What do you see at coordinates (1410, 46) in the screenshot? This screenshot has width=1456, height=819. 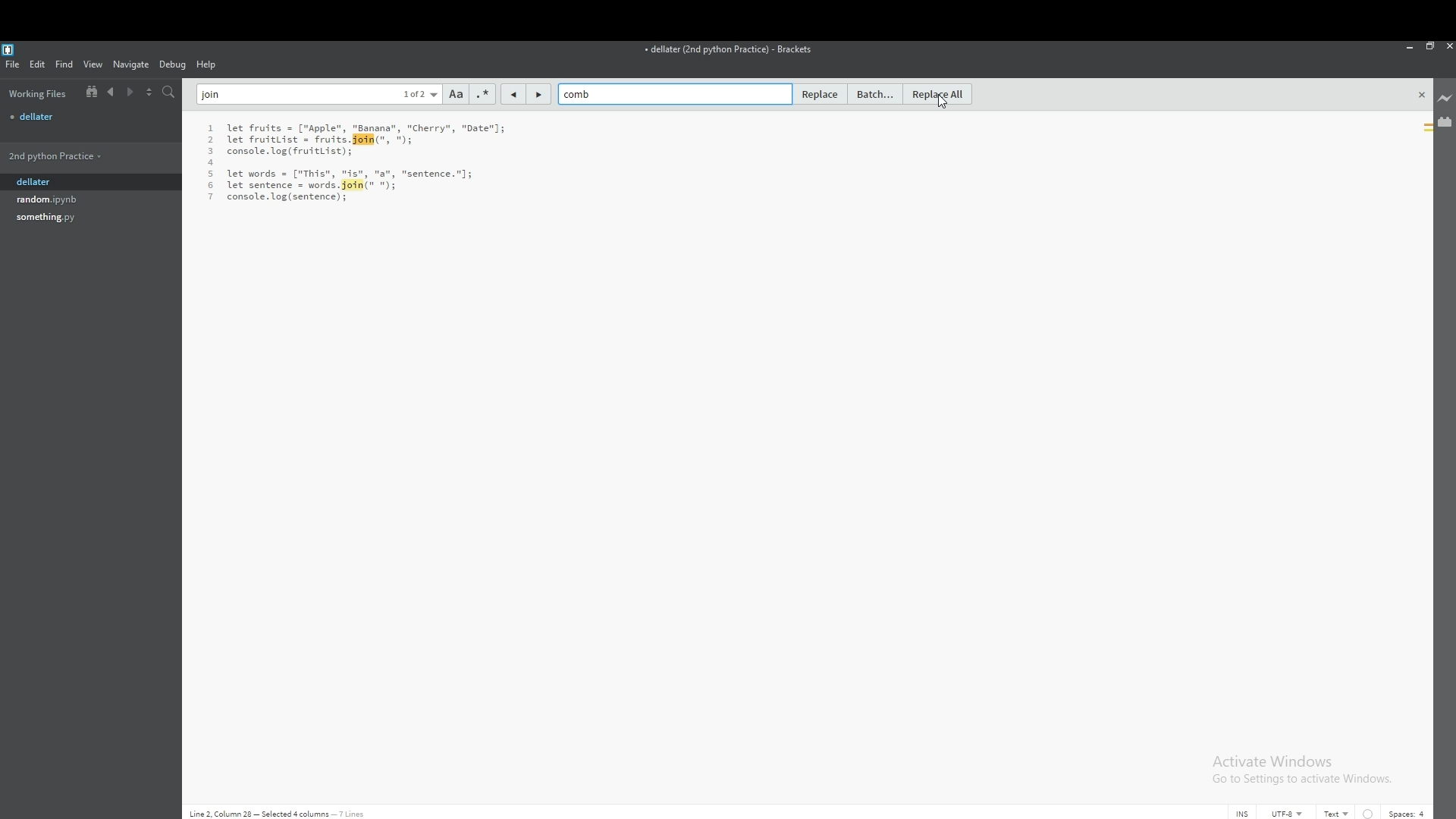 I see `minimize` at bounding box center [1410, 46].